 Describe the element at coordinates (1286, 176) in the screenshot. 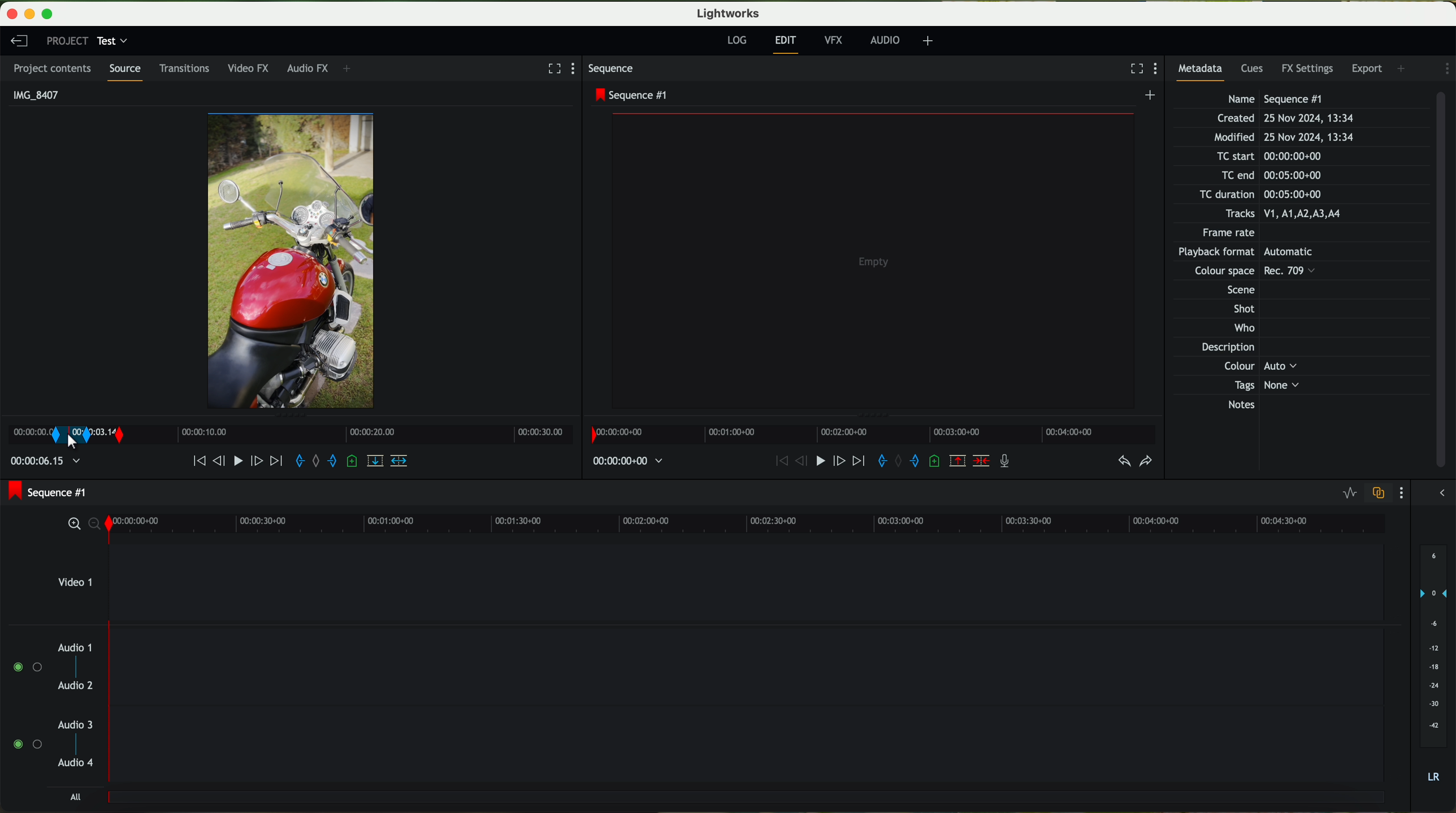

I see `TC end` at that location.